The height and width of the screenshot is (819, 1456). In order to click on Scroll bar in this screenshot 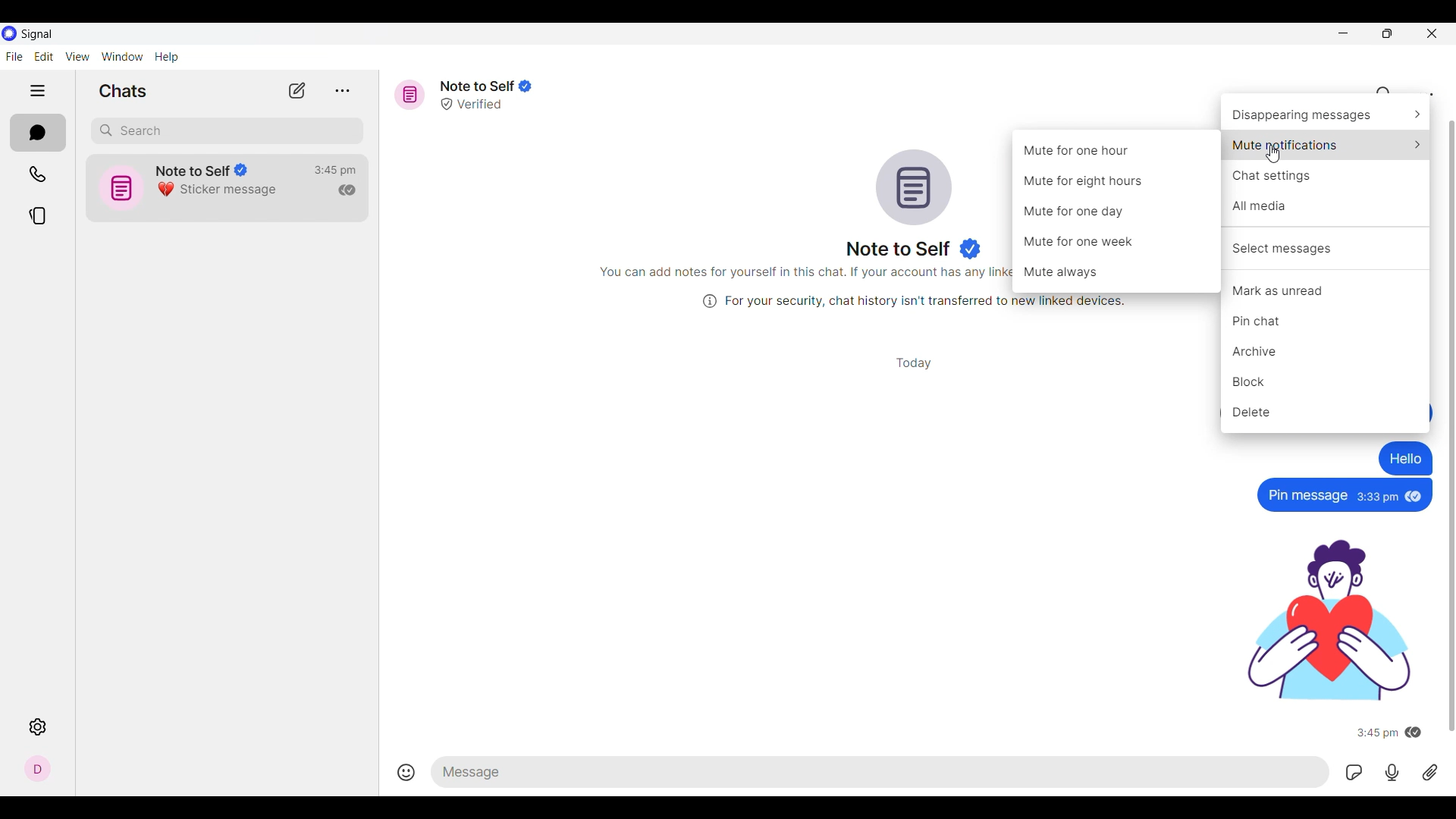, I will do `click(1447, 427)`.